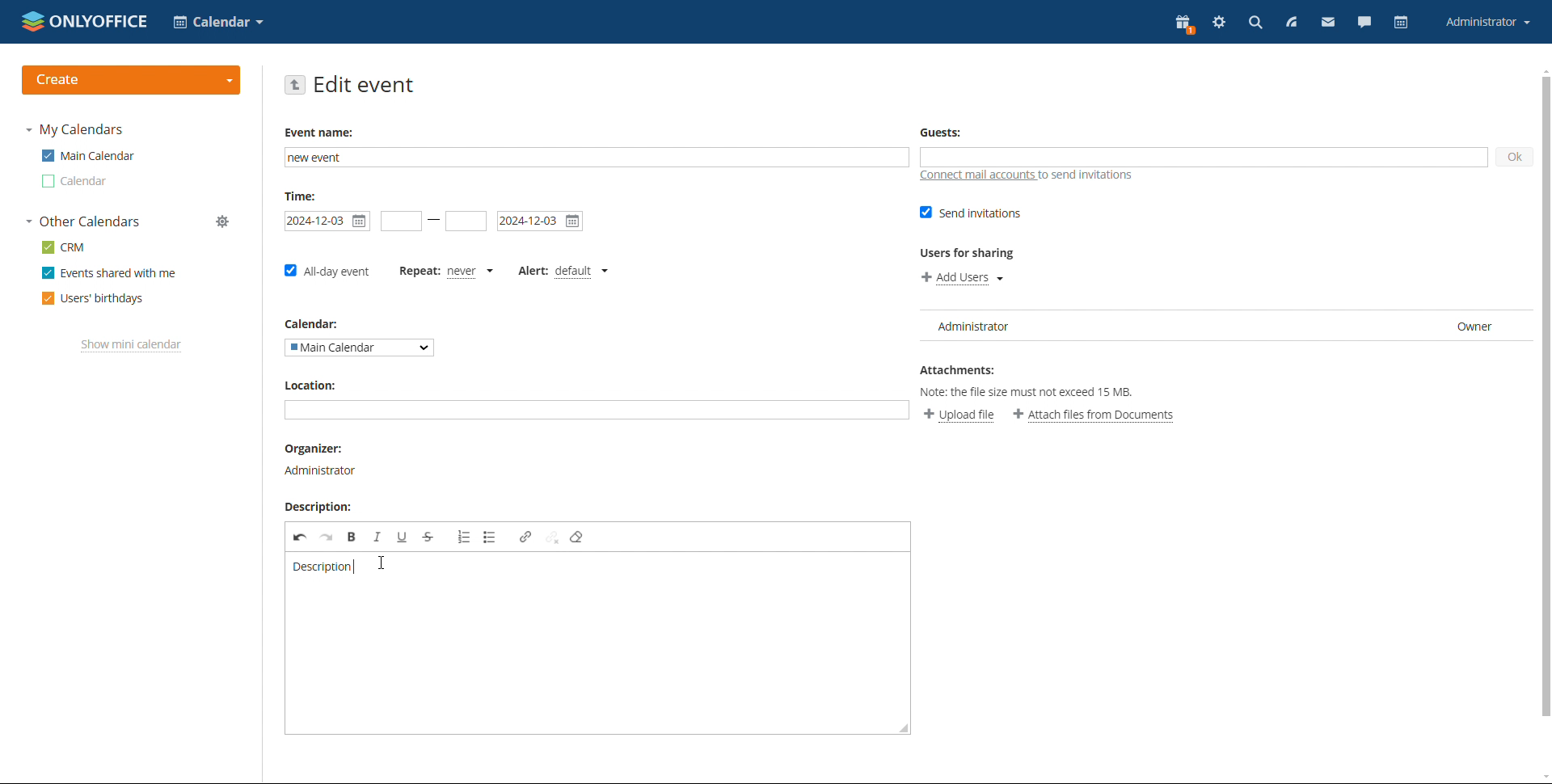  I want to click on feed, so click(1289, 23).